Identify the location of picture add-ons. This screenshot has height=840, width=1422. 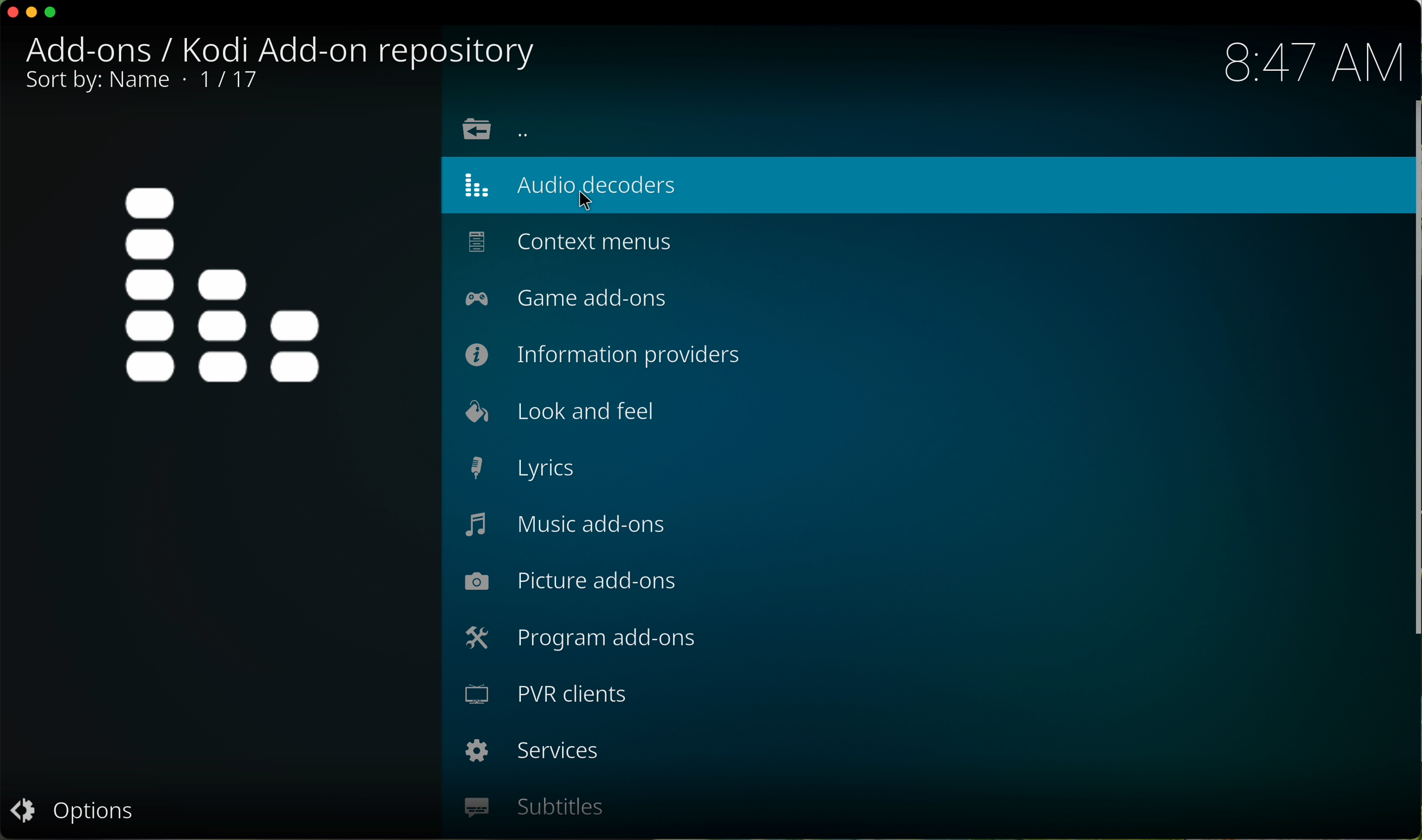
(571, 582).